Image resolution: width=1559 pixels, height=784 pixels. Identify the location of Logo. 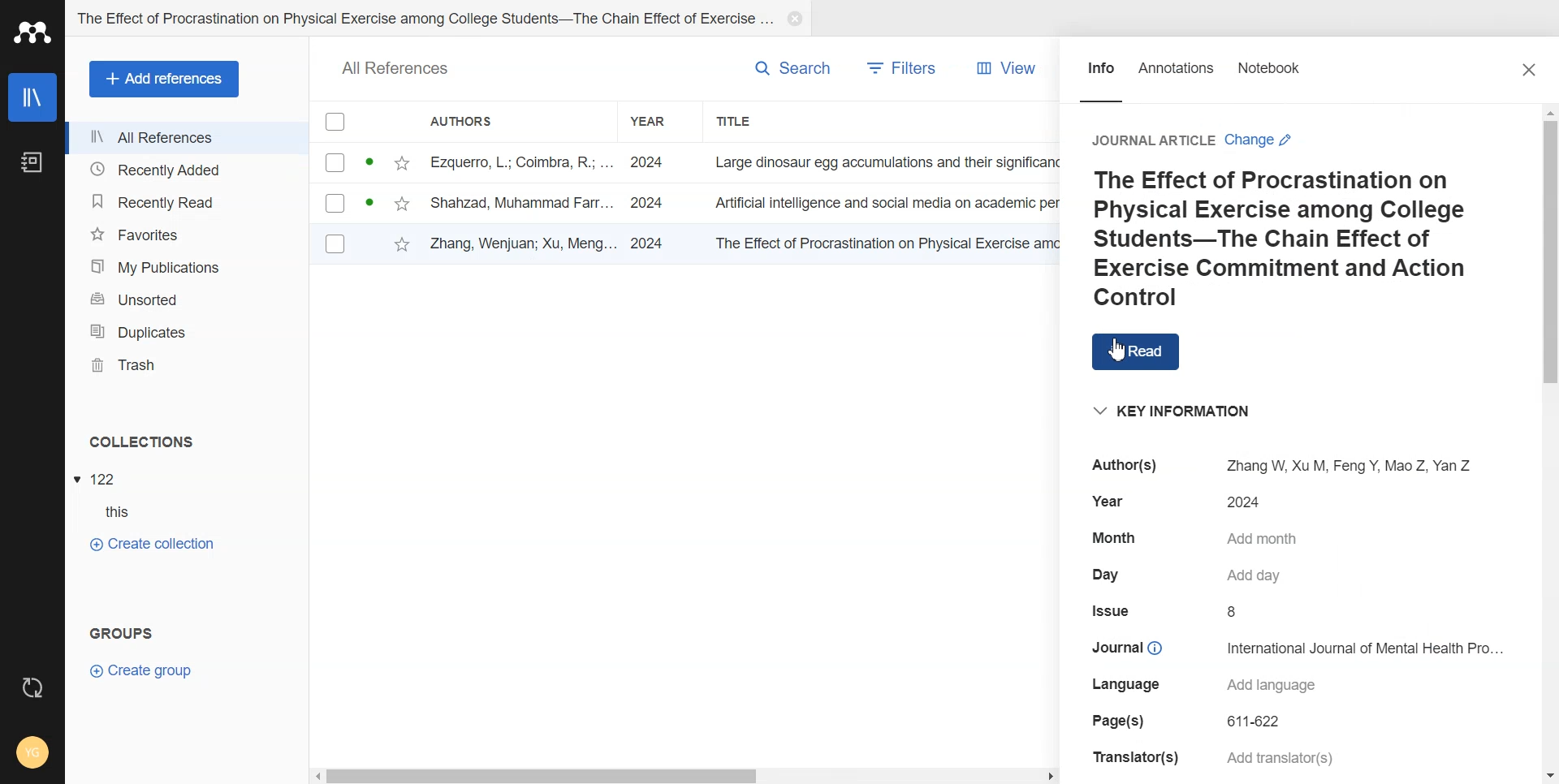
(32, 32).